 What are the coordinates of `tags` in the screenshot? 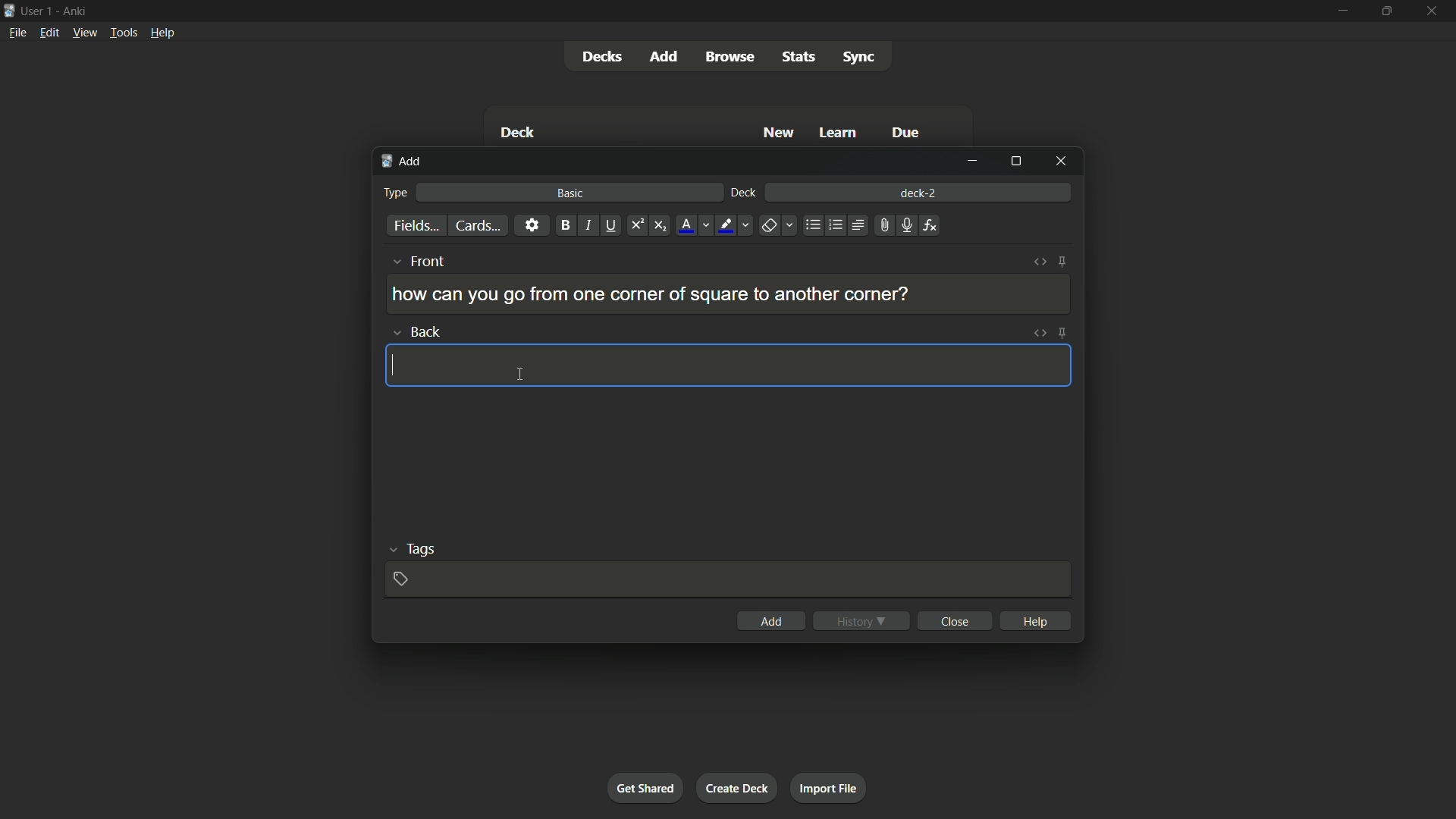 It's located at (408, 549).